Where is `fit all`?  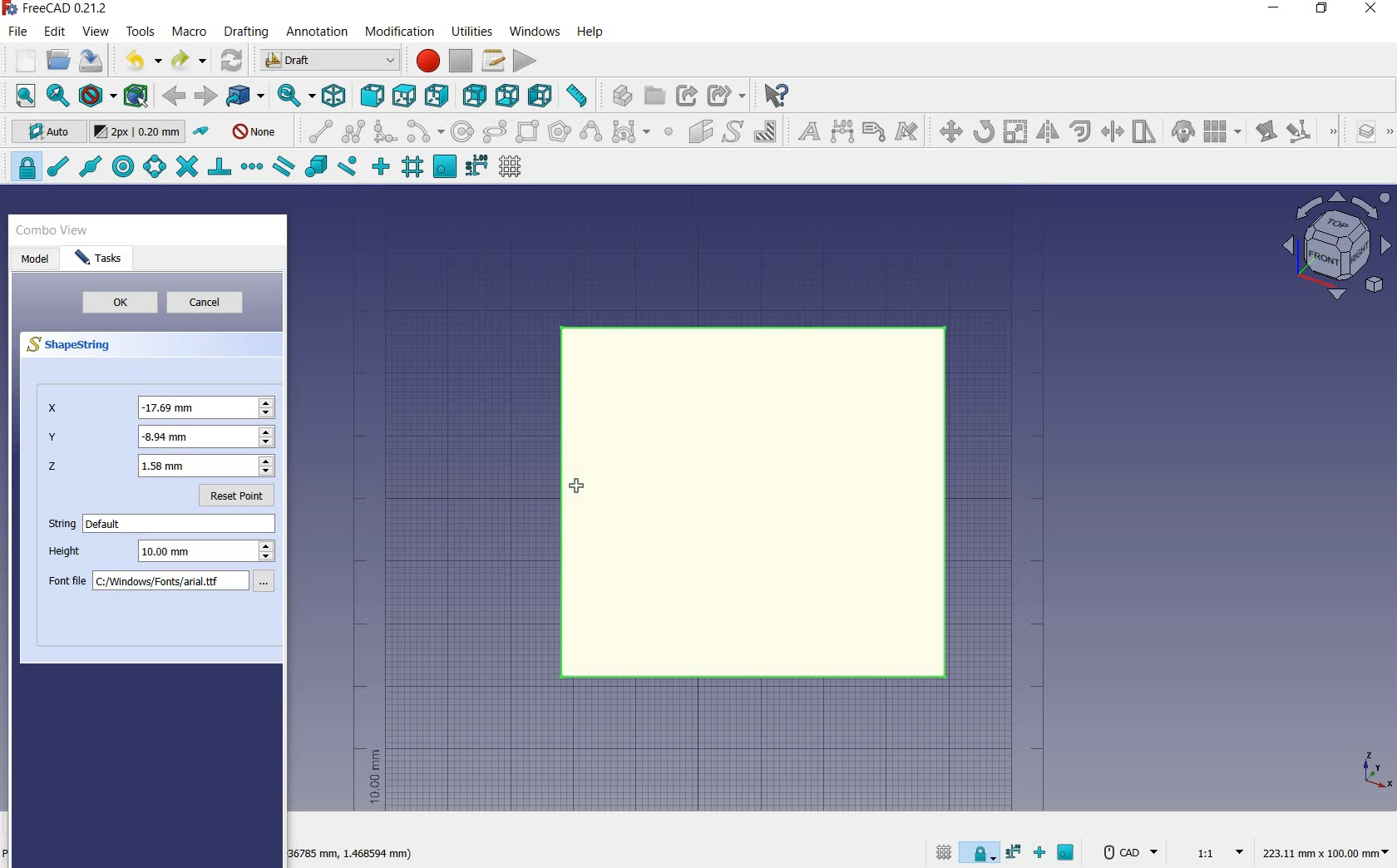 fit all is located at coordinates (22, 96).